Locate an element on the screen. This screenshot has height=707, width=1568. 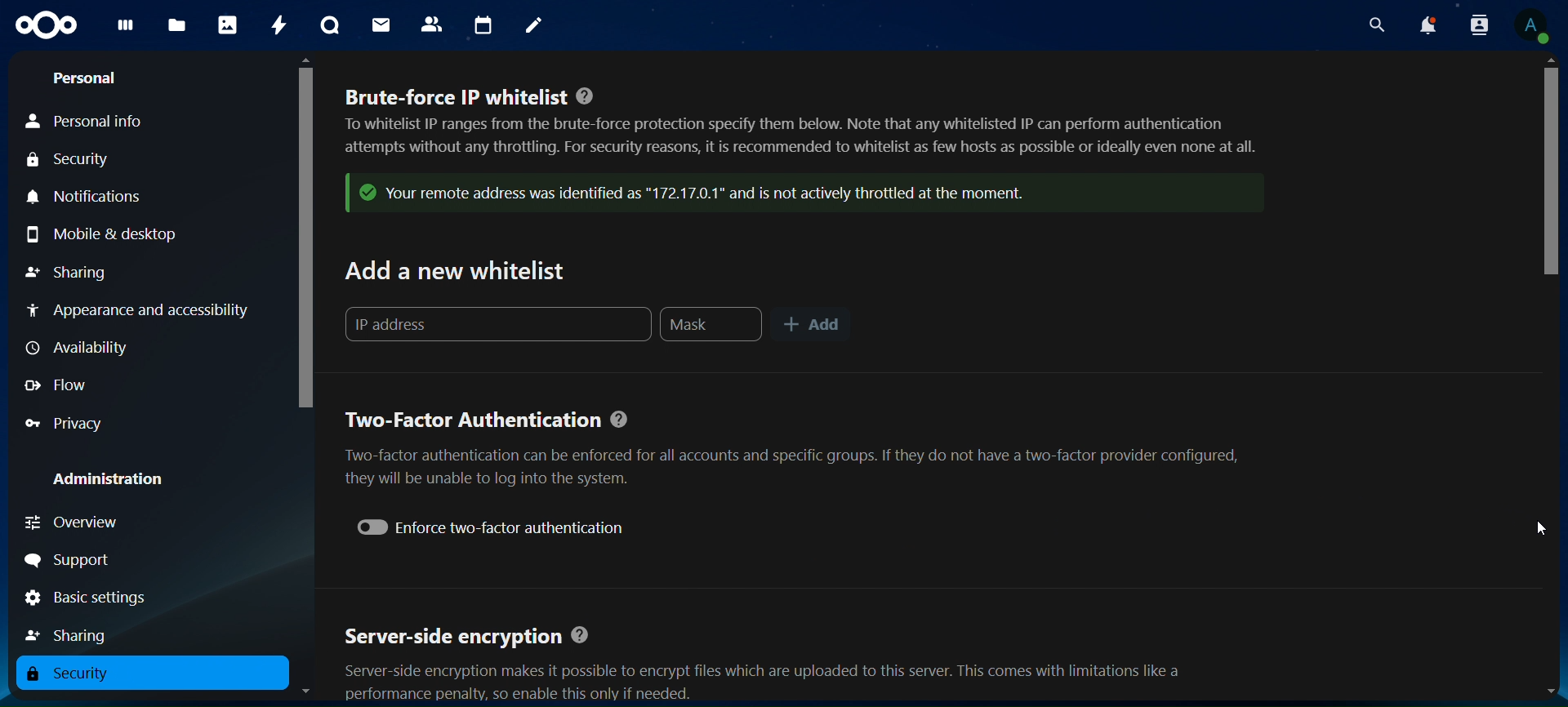
scrollbar is located at coordinates (1549, 162).